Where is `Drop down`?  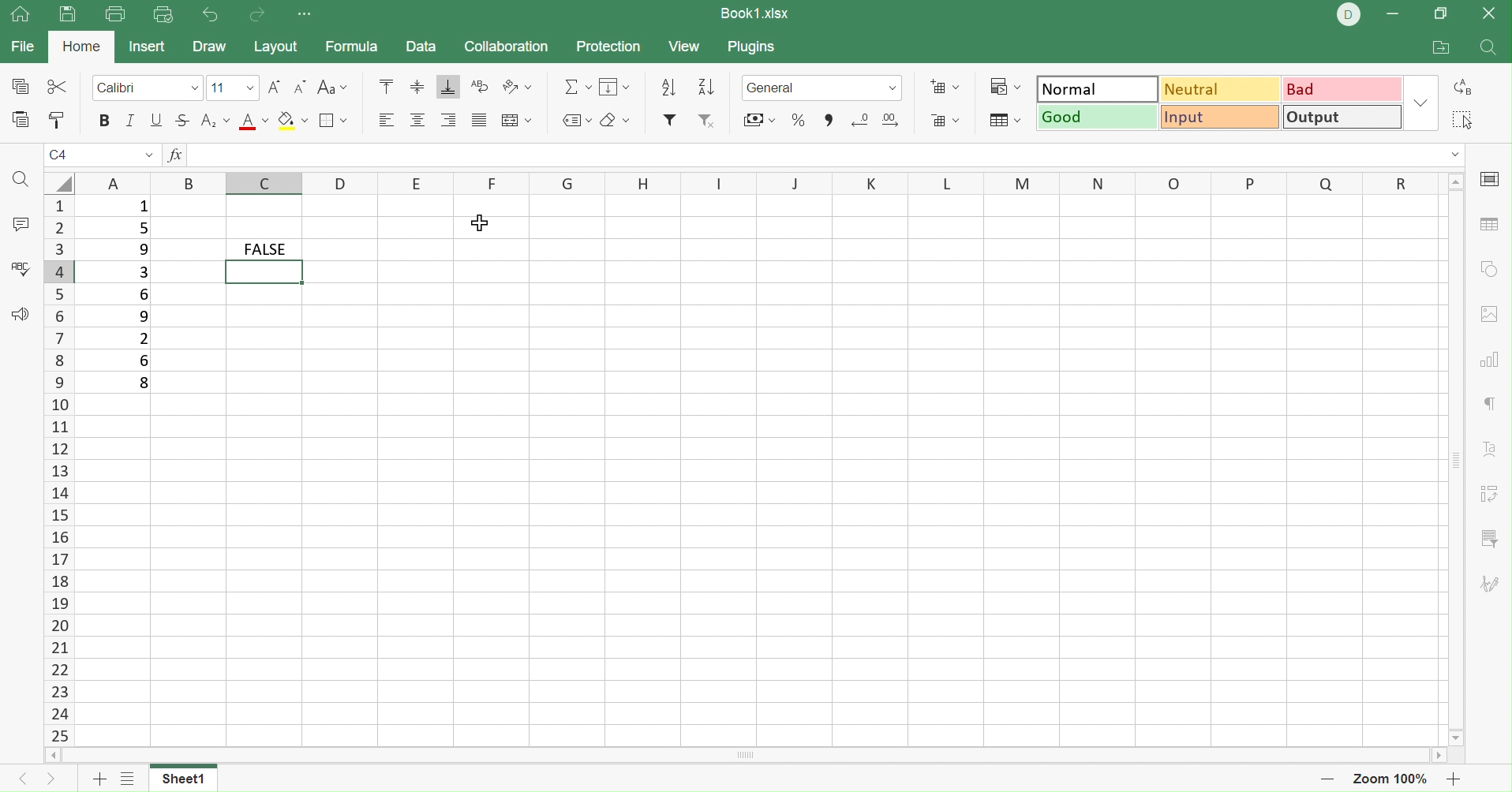
Drop down is located at coordinates (1456, 155).